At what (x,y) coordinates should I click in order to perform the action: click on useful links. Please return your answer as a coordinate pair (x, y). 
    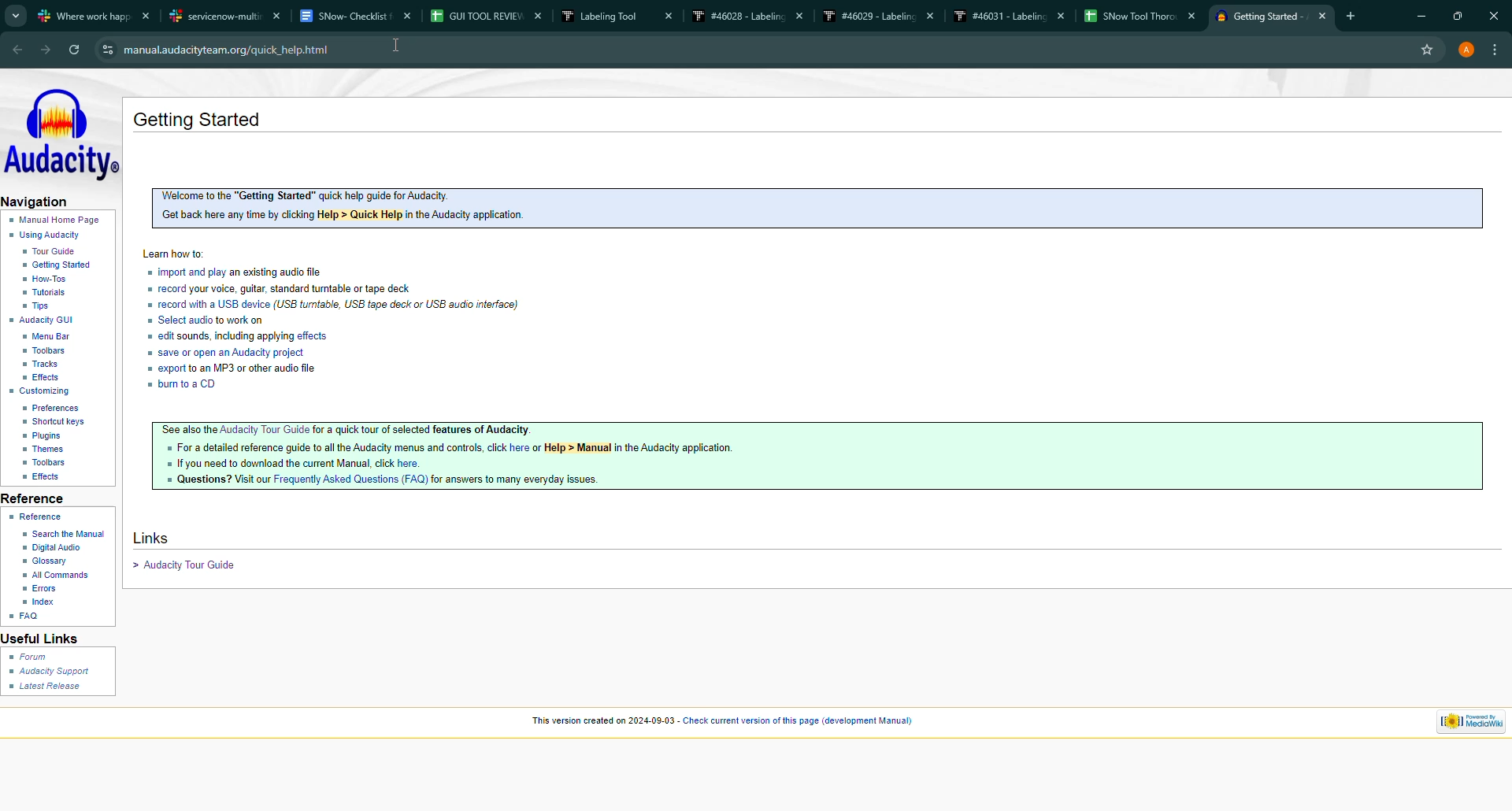
    Looking at the image, I should click on (45, 639).